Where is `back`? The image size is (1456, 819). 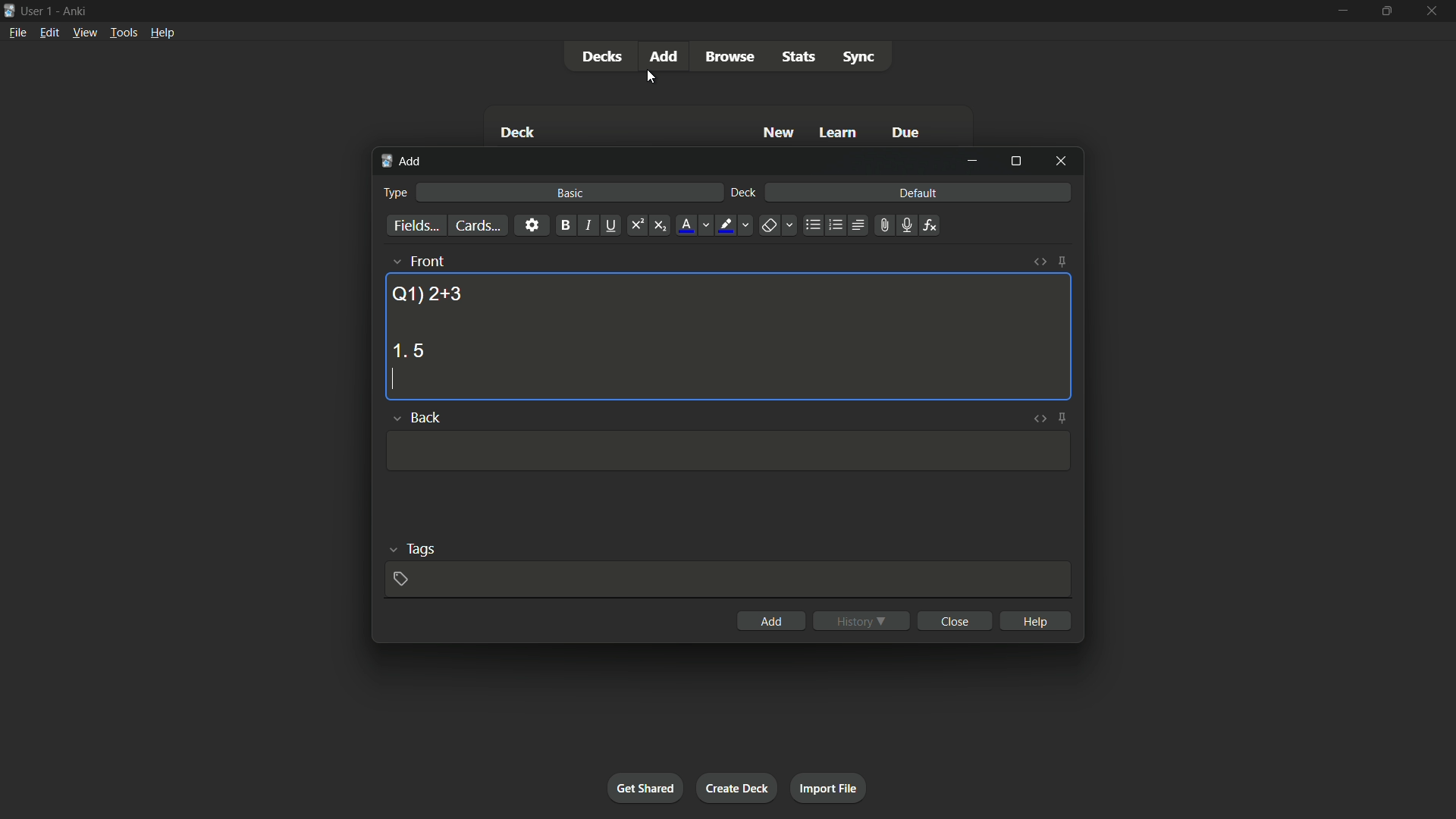 back is located at coordinates (425, 416).